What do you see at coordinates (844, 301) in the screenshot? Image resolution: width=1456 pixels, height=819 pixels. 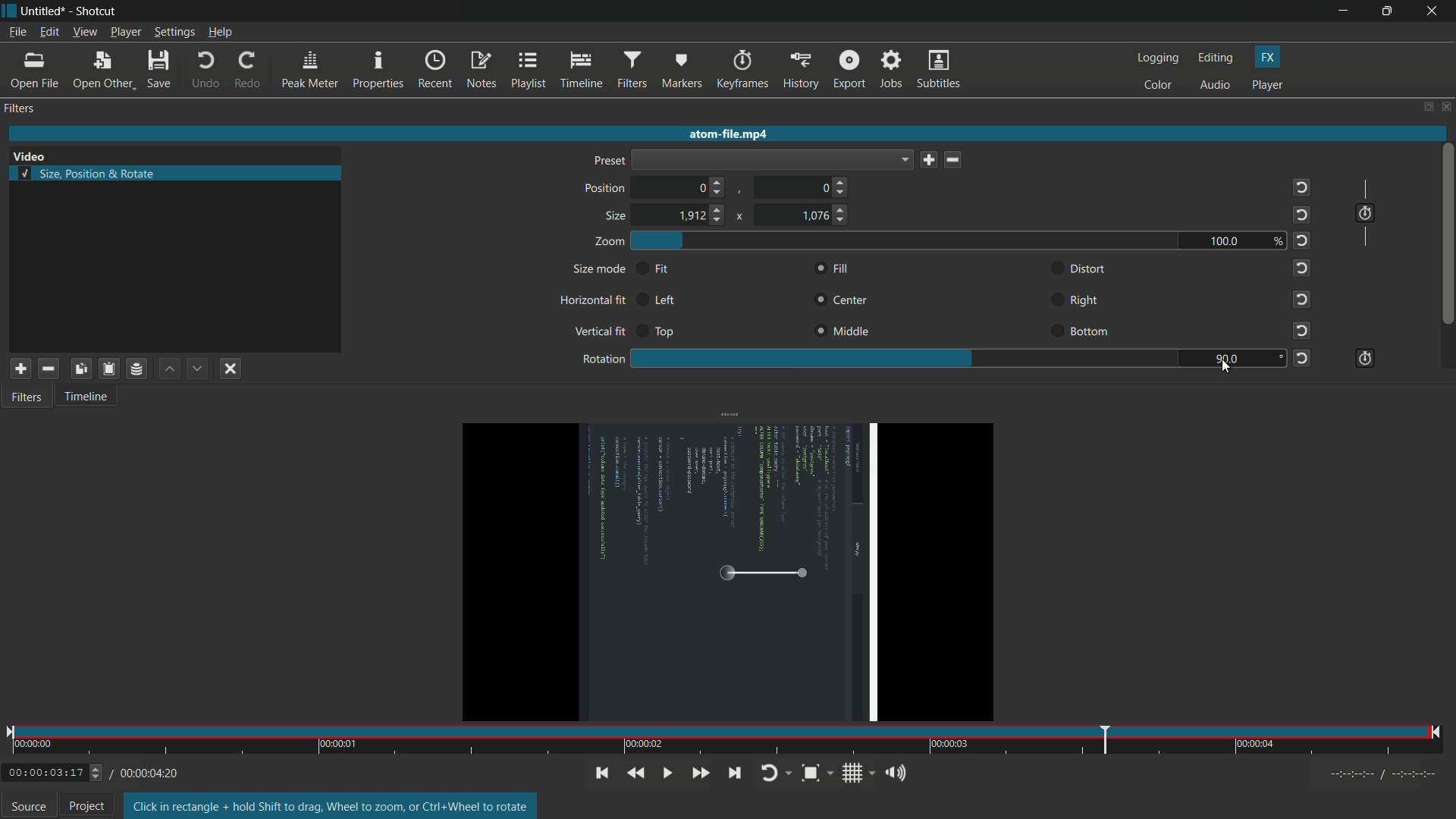 I see `center` at bounding box center [844, 301].